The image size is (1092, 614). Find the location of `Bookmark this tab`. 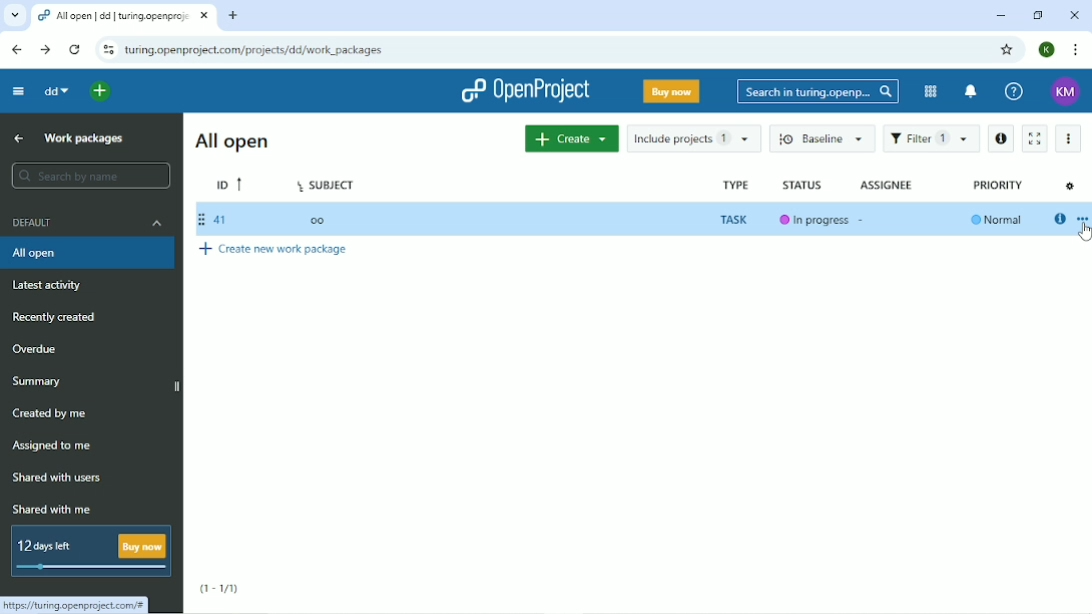

Bookmark this tab is located at coordinates (1005, 49).